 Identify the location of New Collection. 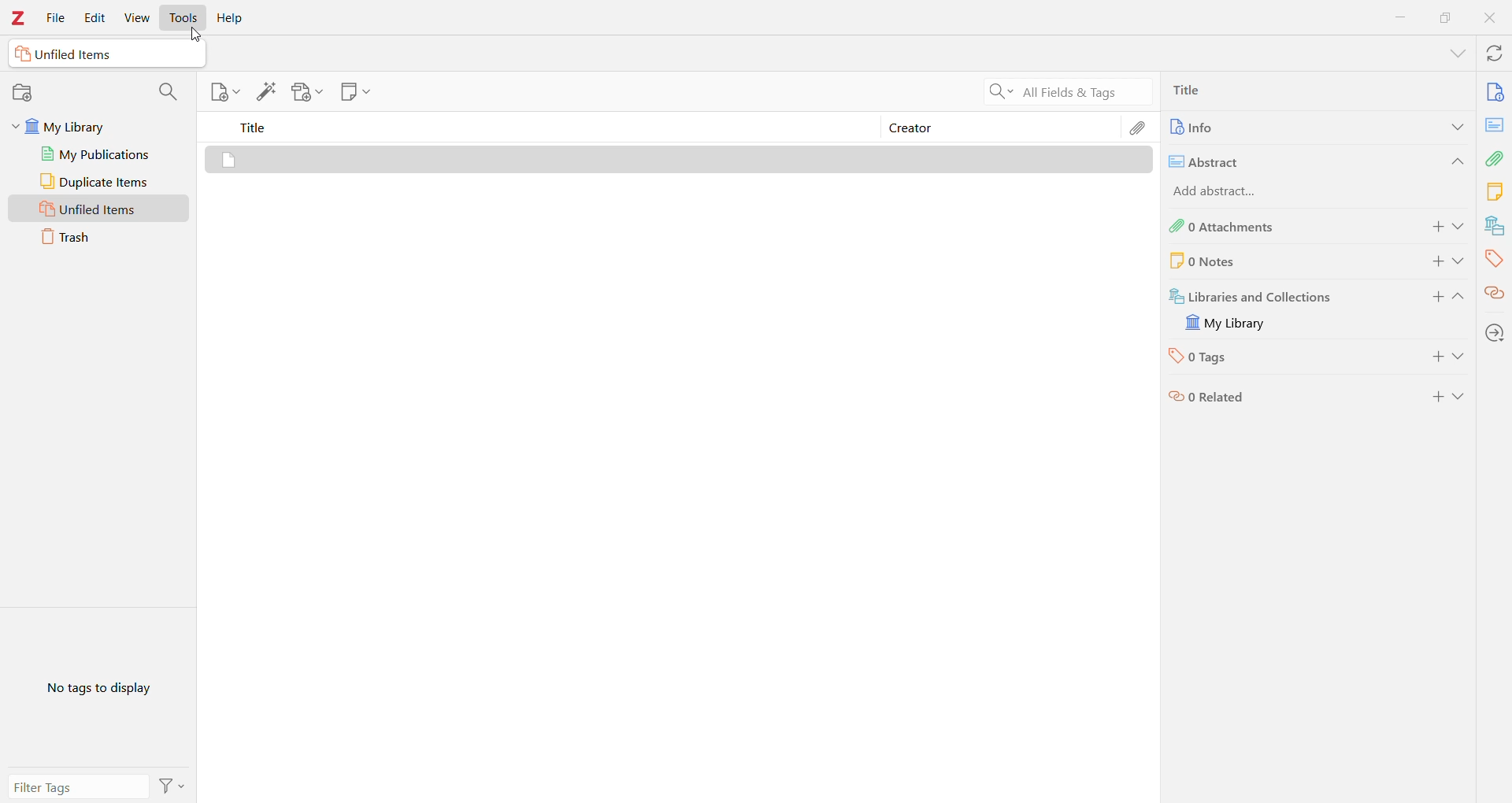
(24, 92).